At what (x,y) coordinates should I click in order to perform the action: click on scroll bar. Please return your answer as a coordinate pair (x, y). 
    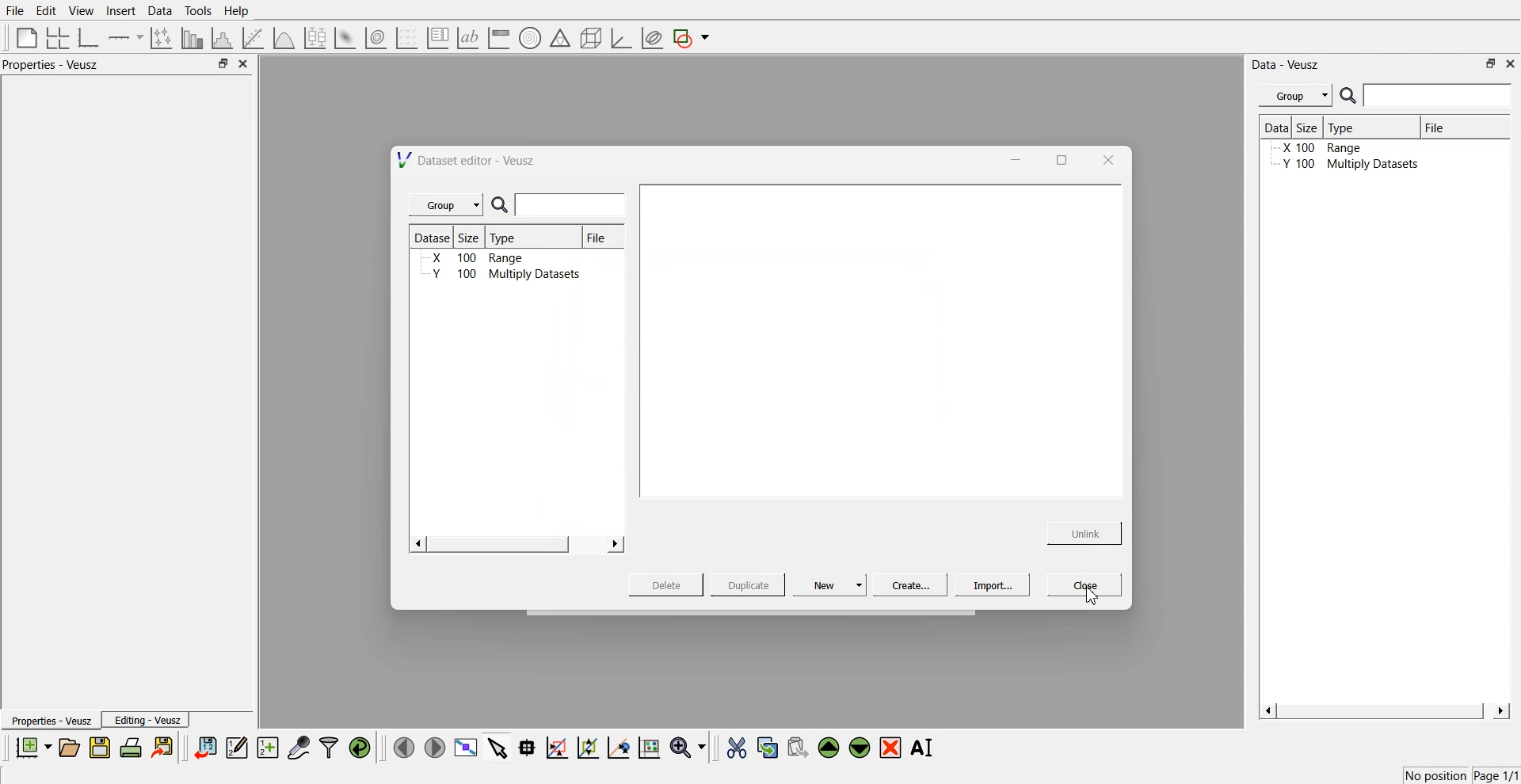
    Looking at the image, I should click on (498, 546).